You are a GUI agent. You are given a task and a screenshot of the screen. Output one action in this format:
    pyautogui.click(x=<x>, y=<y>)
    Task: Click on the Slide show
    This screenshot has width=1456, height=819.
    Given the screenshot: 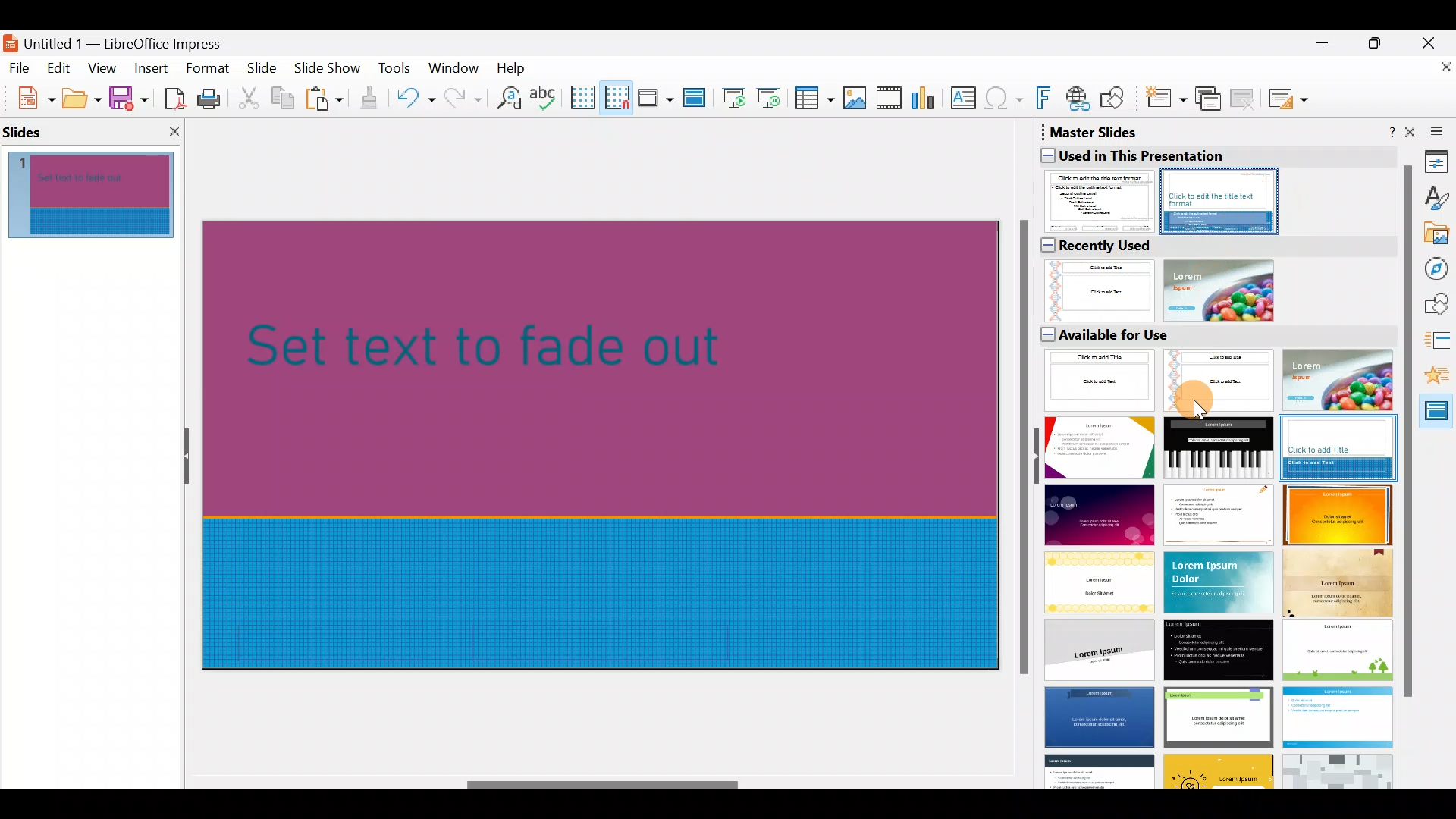 What is the action you would take?
    pyautogui.click(x=331, y=71)
    